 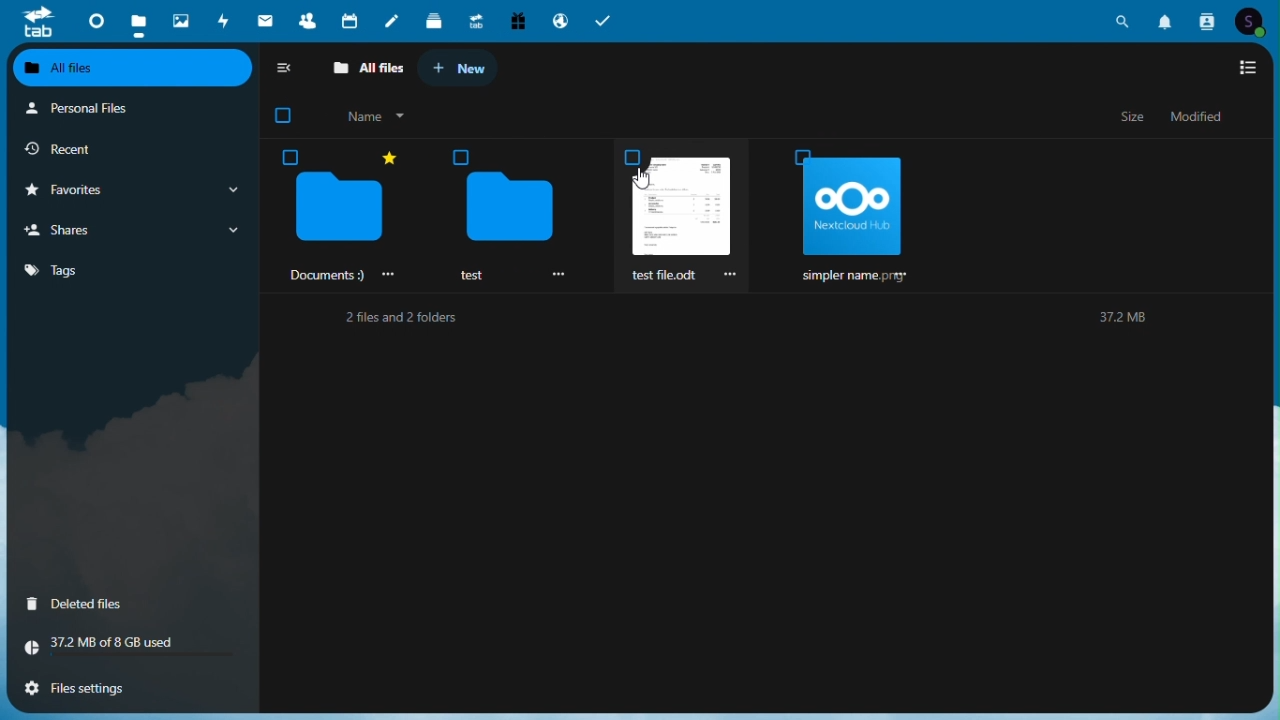 I want to click on Free trial, so click(x=516, y=19).